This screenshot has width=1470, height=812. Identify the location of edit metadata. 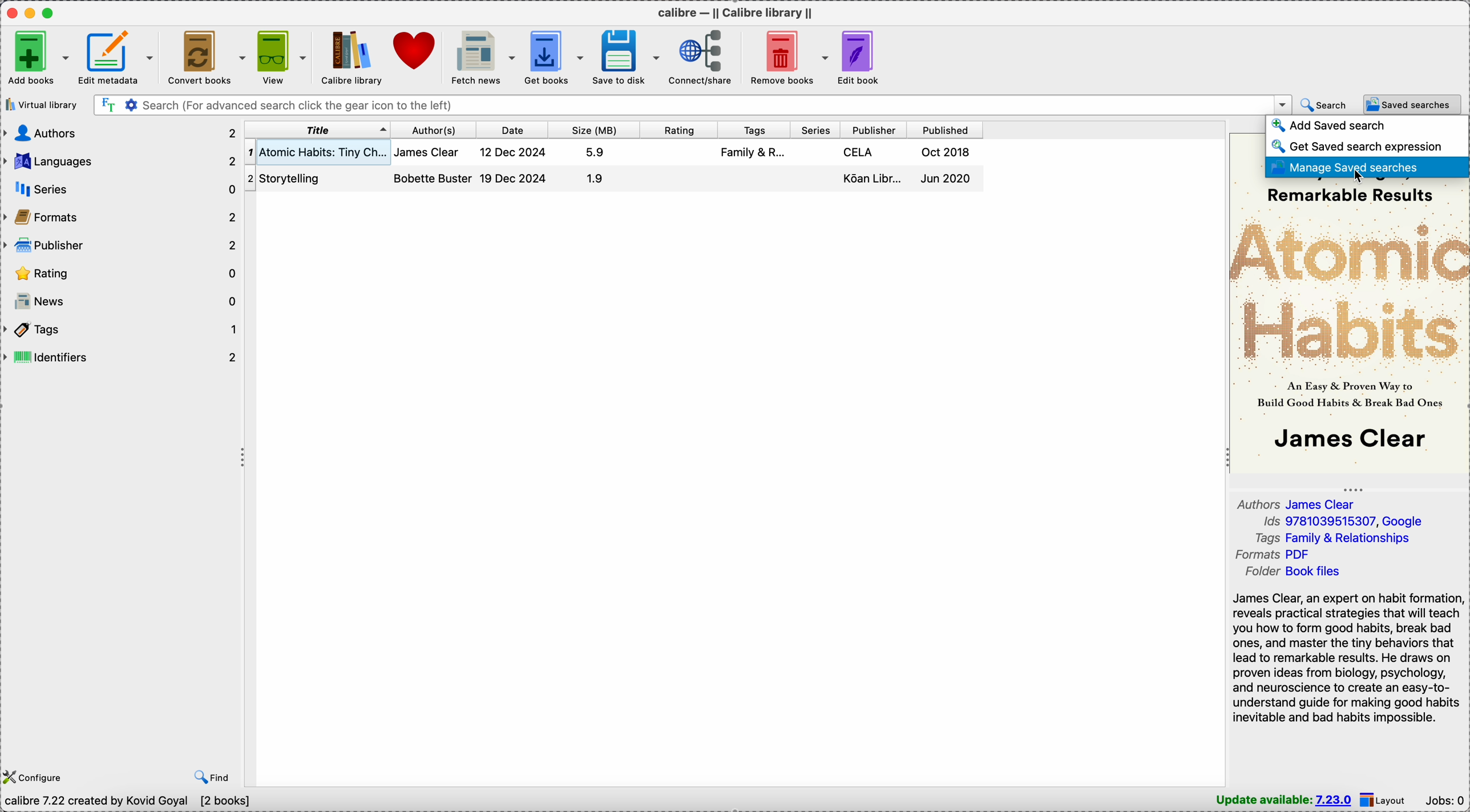
(116, 58).